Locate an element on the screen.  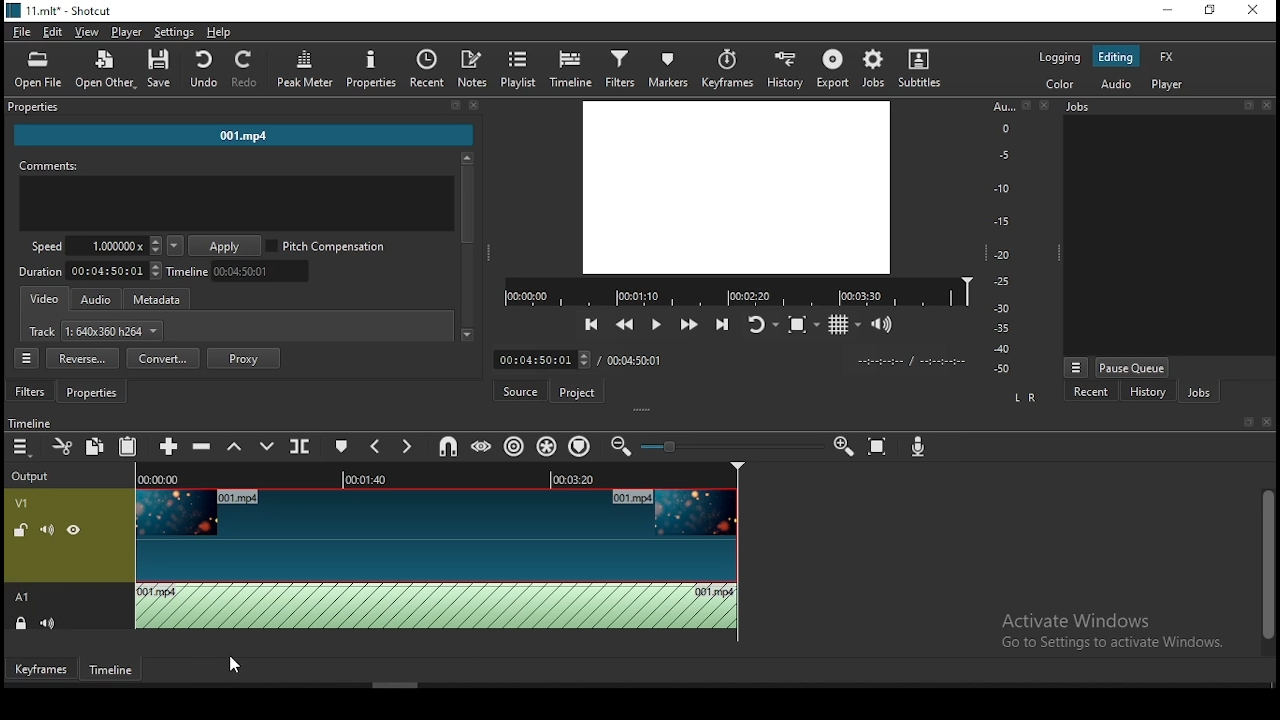
player is located at coordinates (126, 32).